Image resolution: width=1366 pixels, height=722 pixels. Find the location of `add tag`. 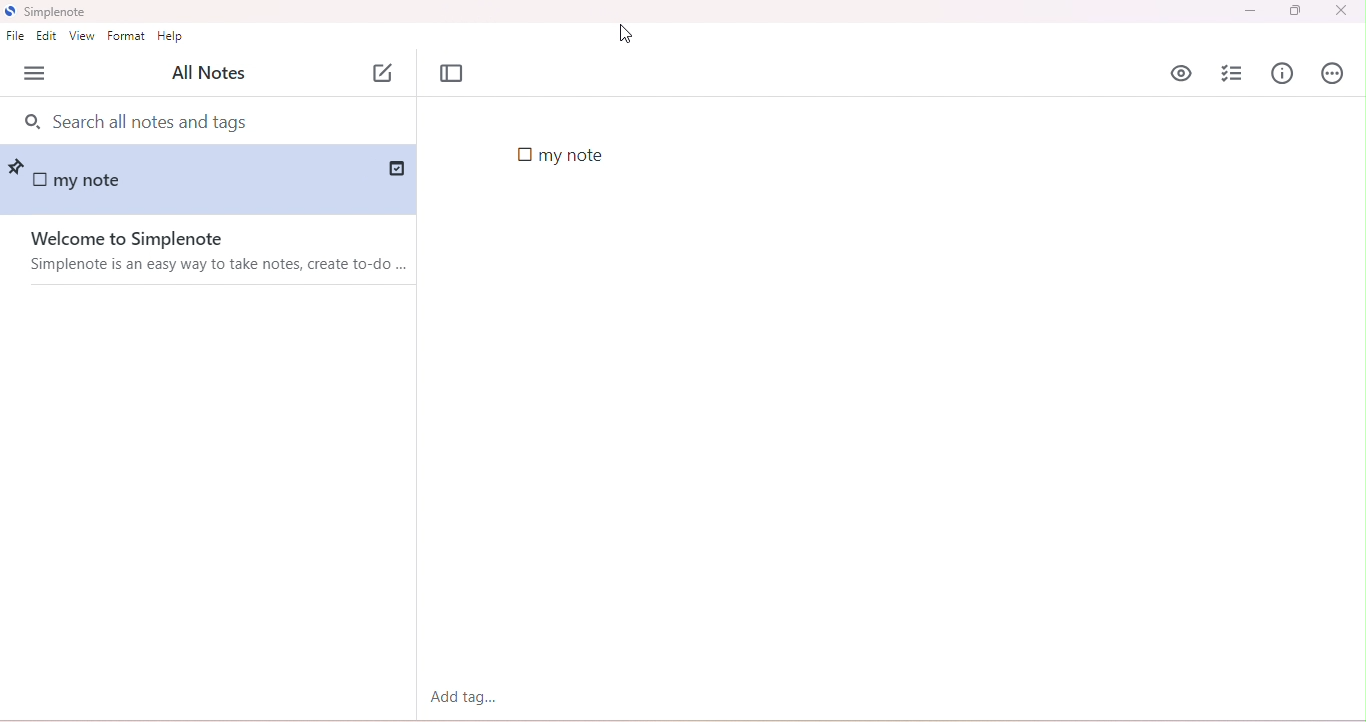

add tag is located at coordinates (463, 697).